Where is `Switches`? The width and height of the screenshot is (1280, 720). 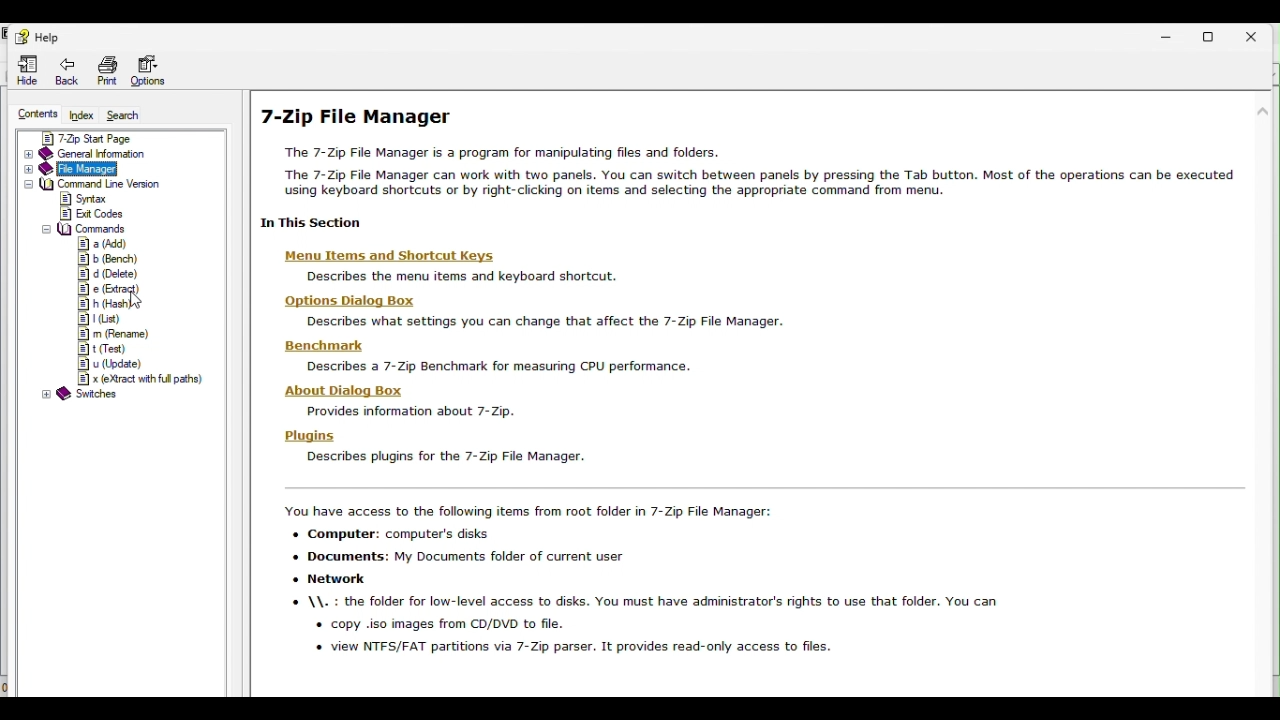 Switches is located at coordinates (84, 394).